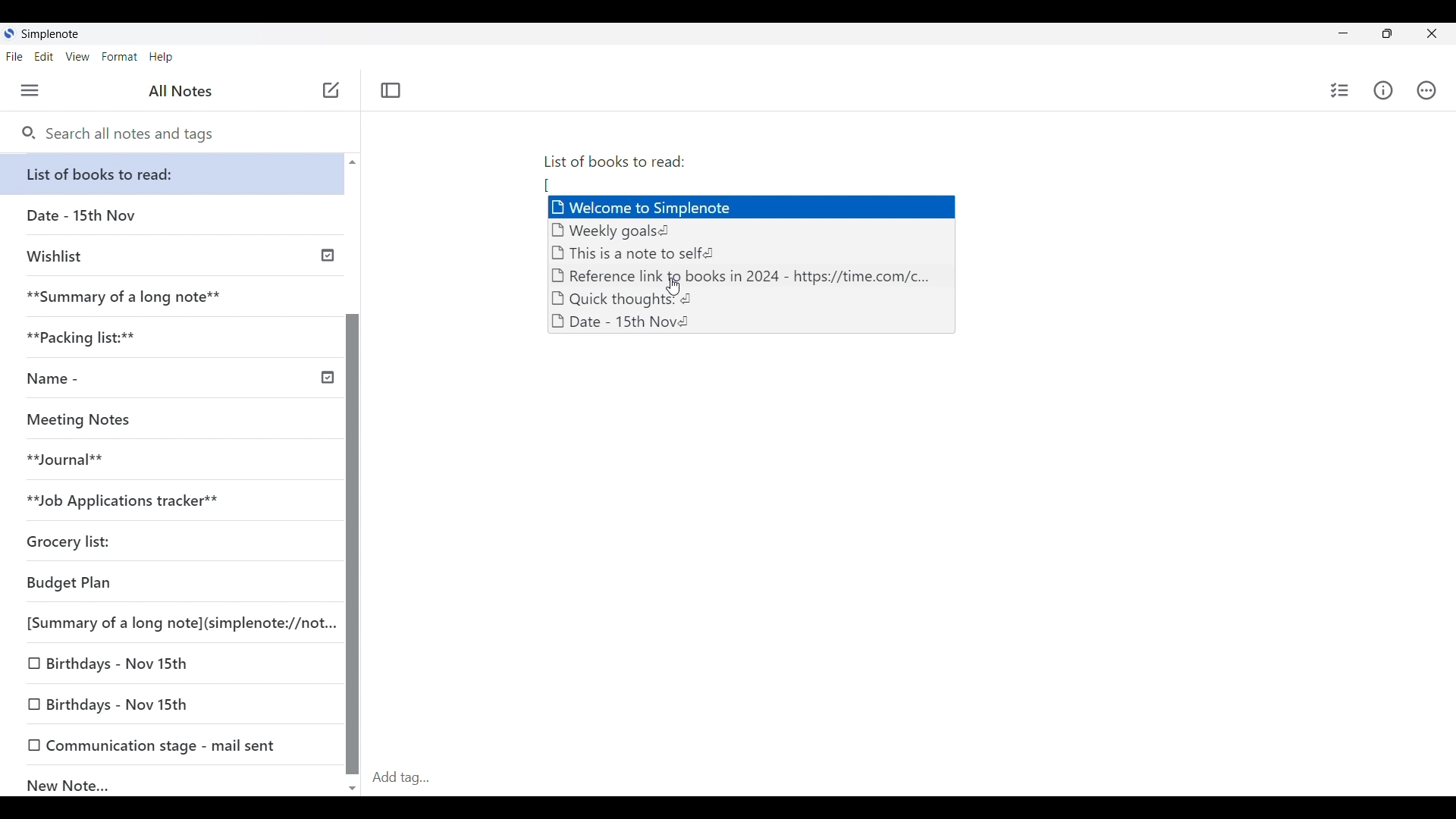  Describe the element at coordinates (1340, 32) in the screenshot. I see `Minimize` at that location.